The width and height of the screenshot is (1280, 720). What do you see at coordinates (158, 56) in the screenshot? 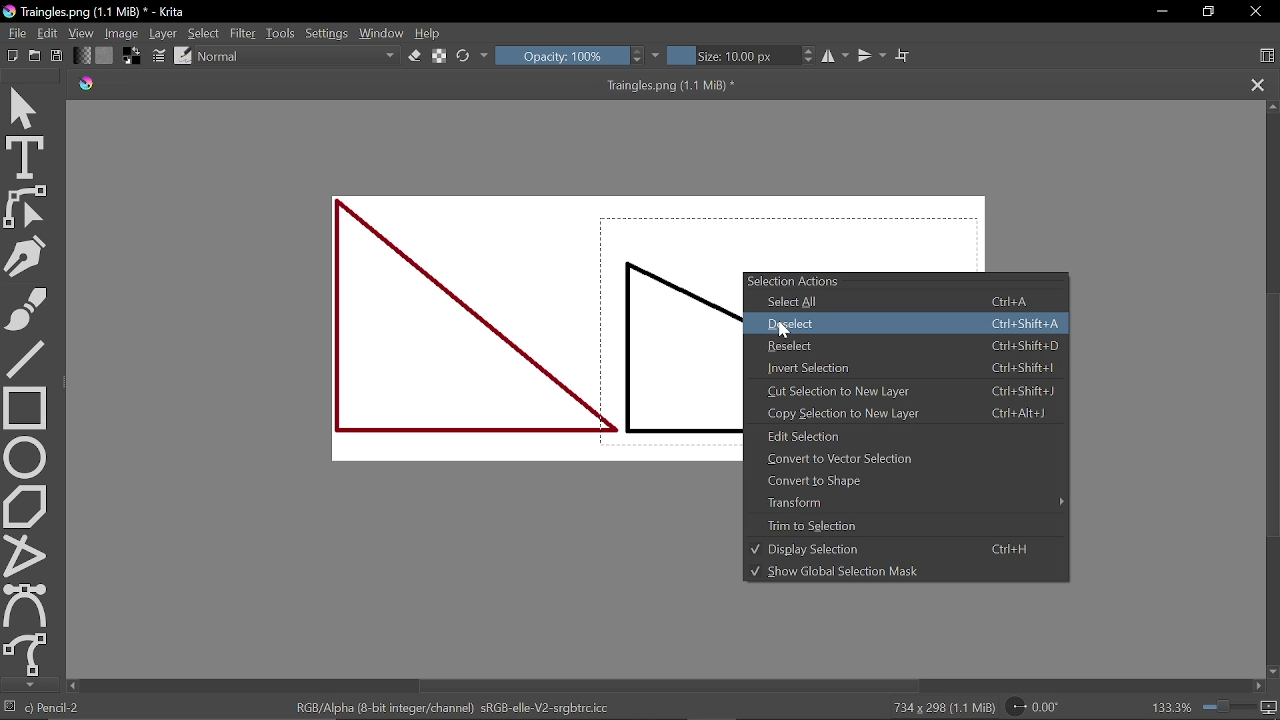
I see `Edit brush settings` at bounding box center [158, 56].